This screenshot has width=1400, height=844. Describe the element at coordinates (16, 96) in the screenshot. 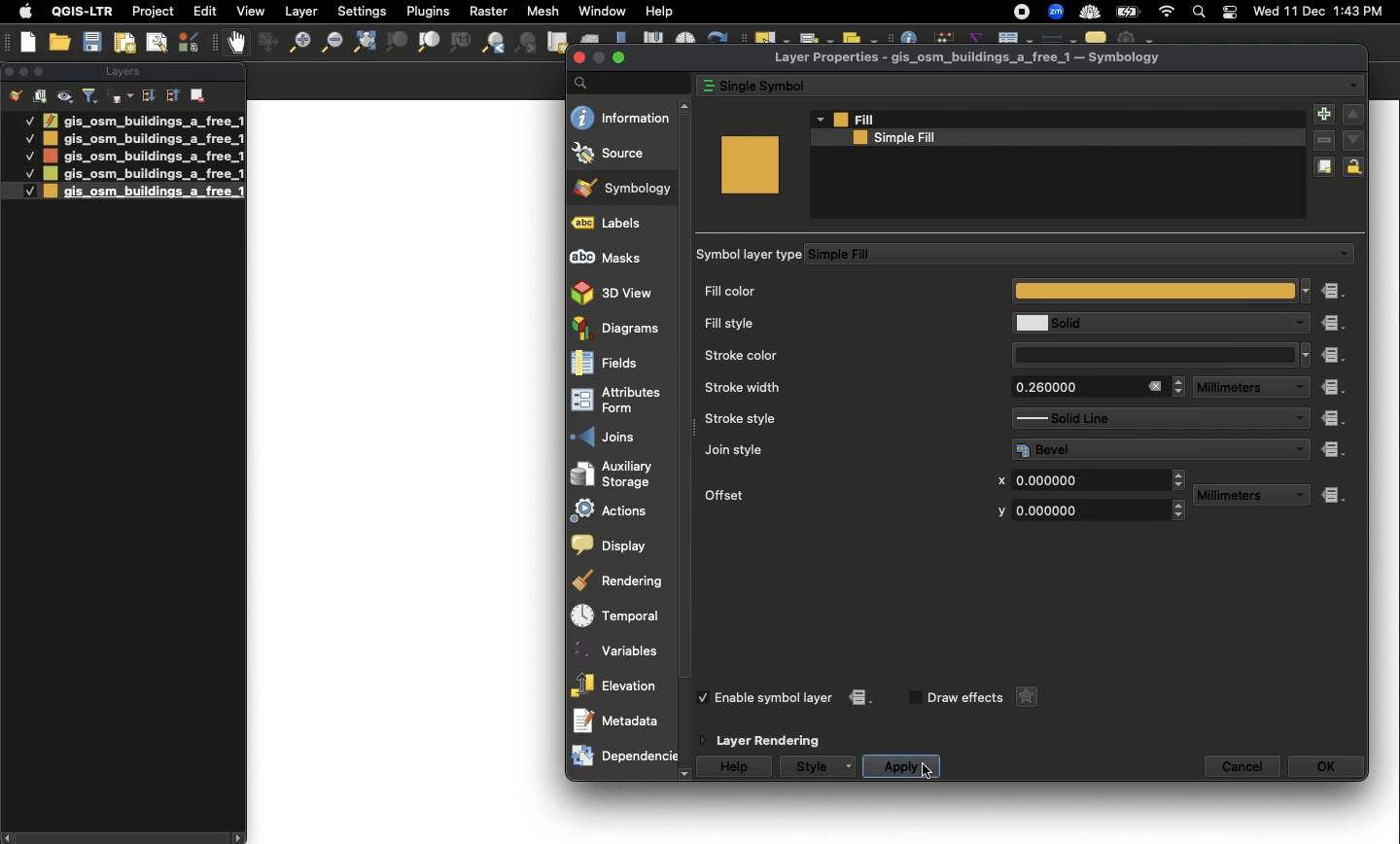

I see `Open the layer styling panel` at that location.